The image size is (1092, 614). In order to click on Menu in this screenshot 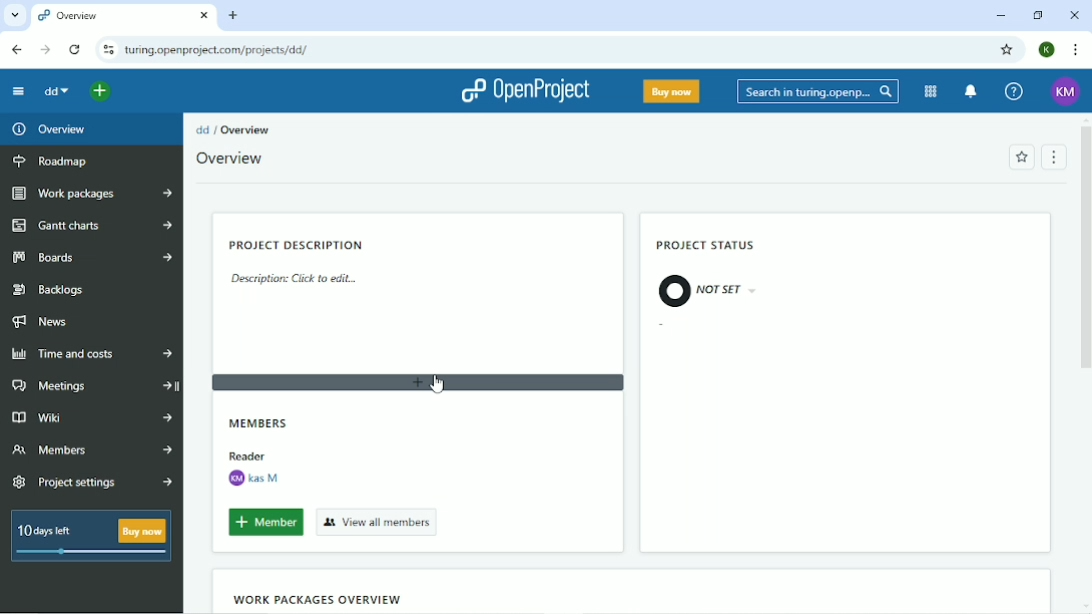, I will do `click(1055, 156)`.